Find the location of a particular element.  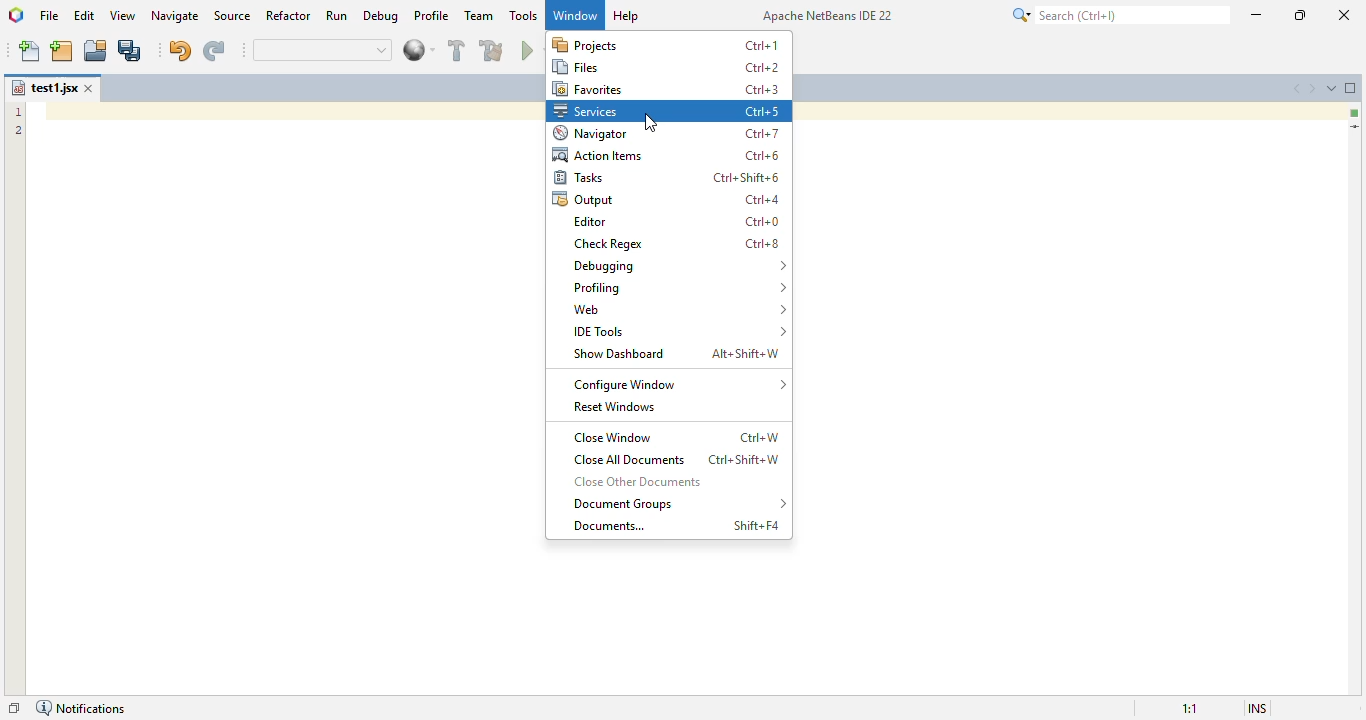

document groups is located at coordinates (679, 503).